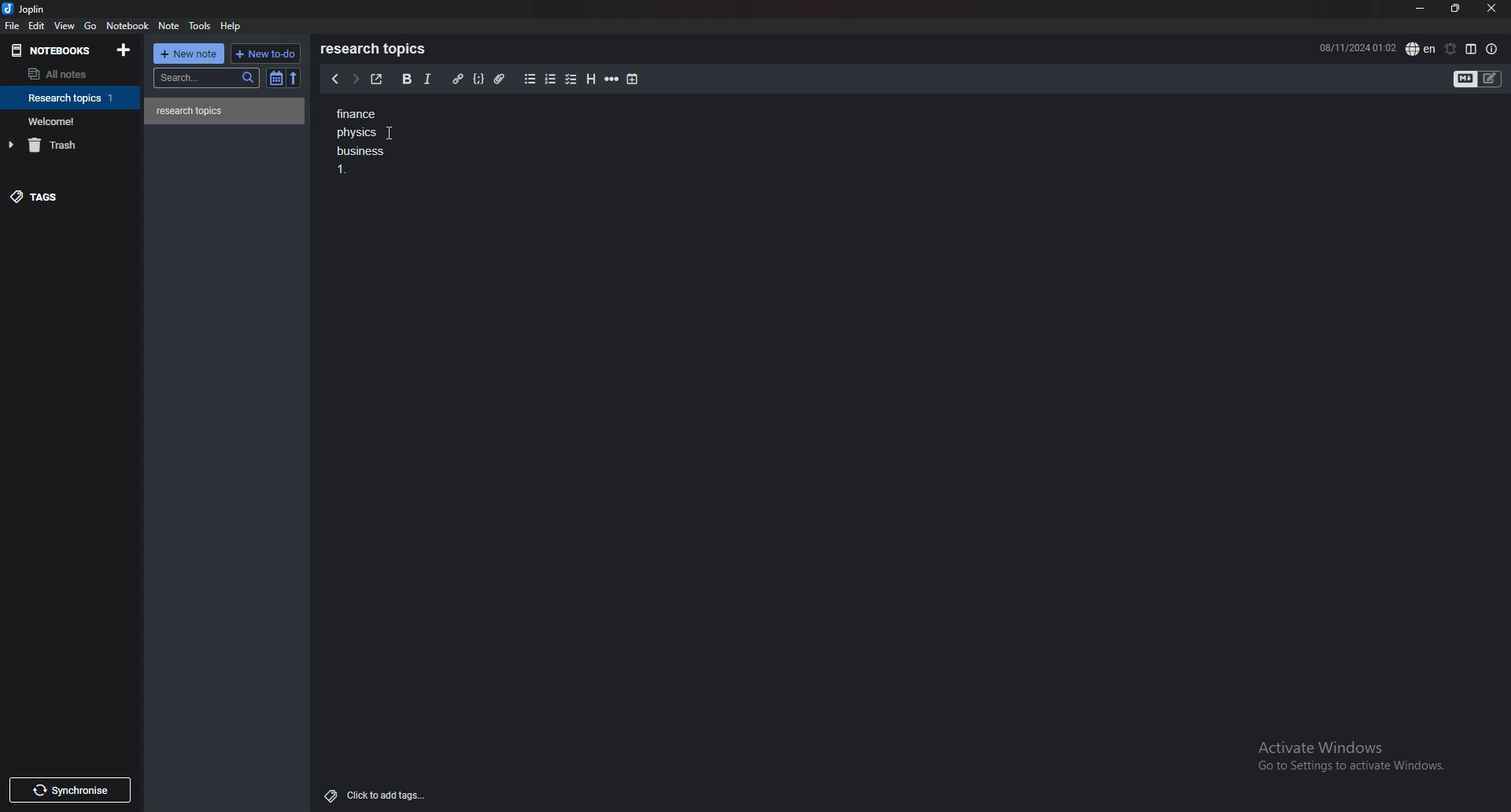  I want to click on note, so click(168, 26).